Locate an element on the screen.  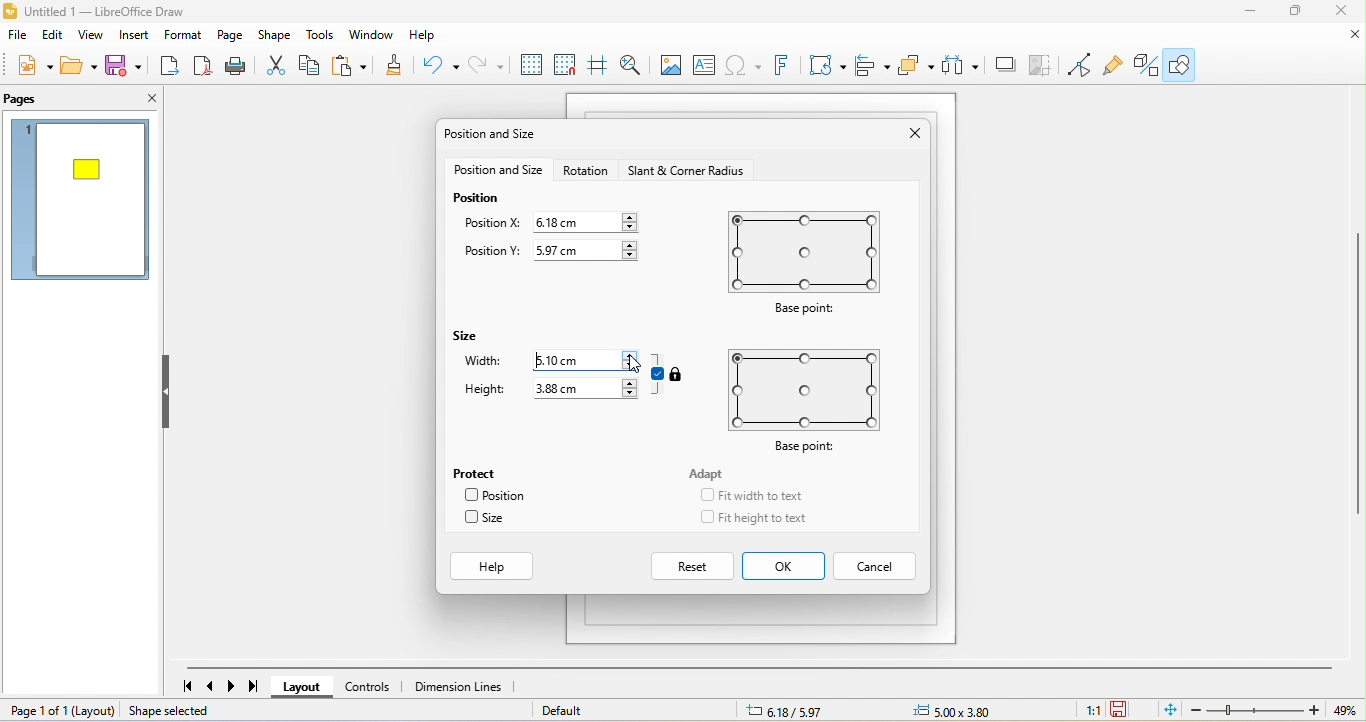
pags is located at coordinates (26, 100).